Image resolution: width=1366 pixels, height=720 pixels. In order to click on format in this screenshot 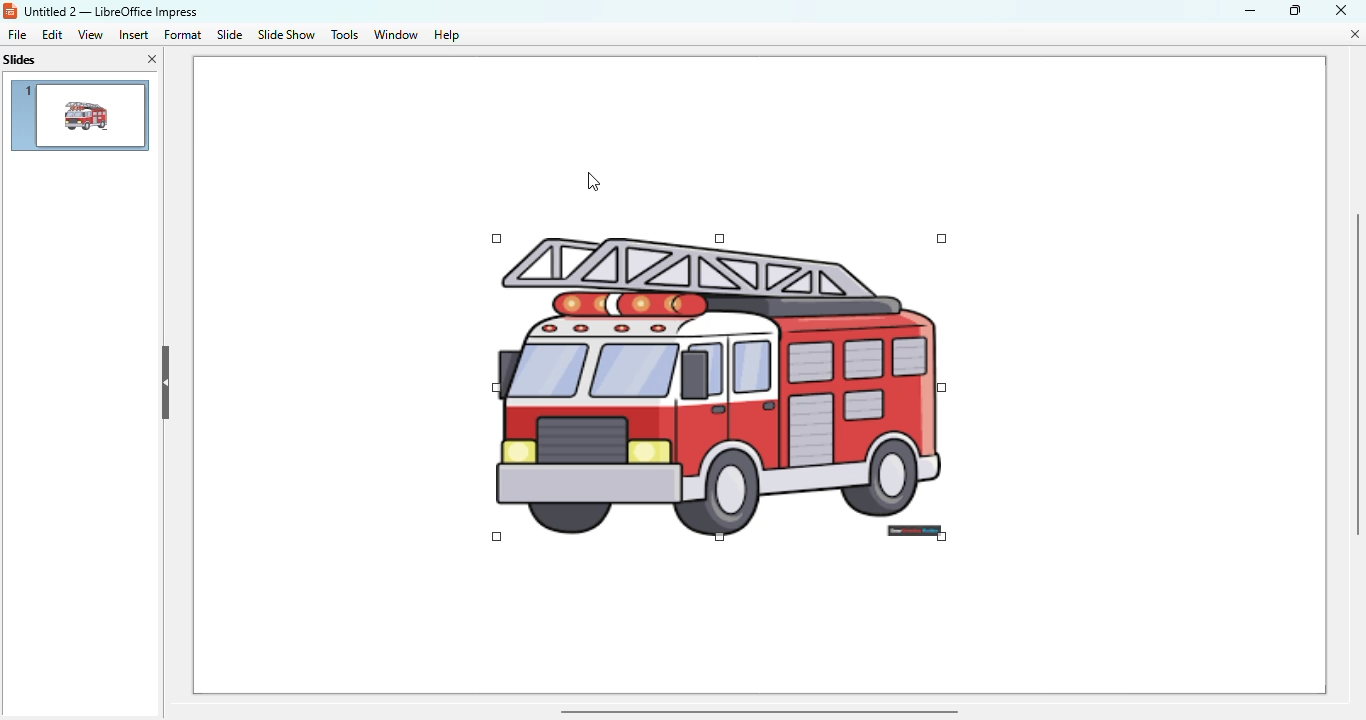, I will do `click(182, 34)`.